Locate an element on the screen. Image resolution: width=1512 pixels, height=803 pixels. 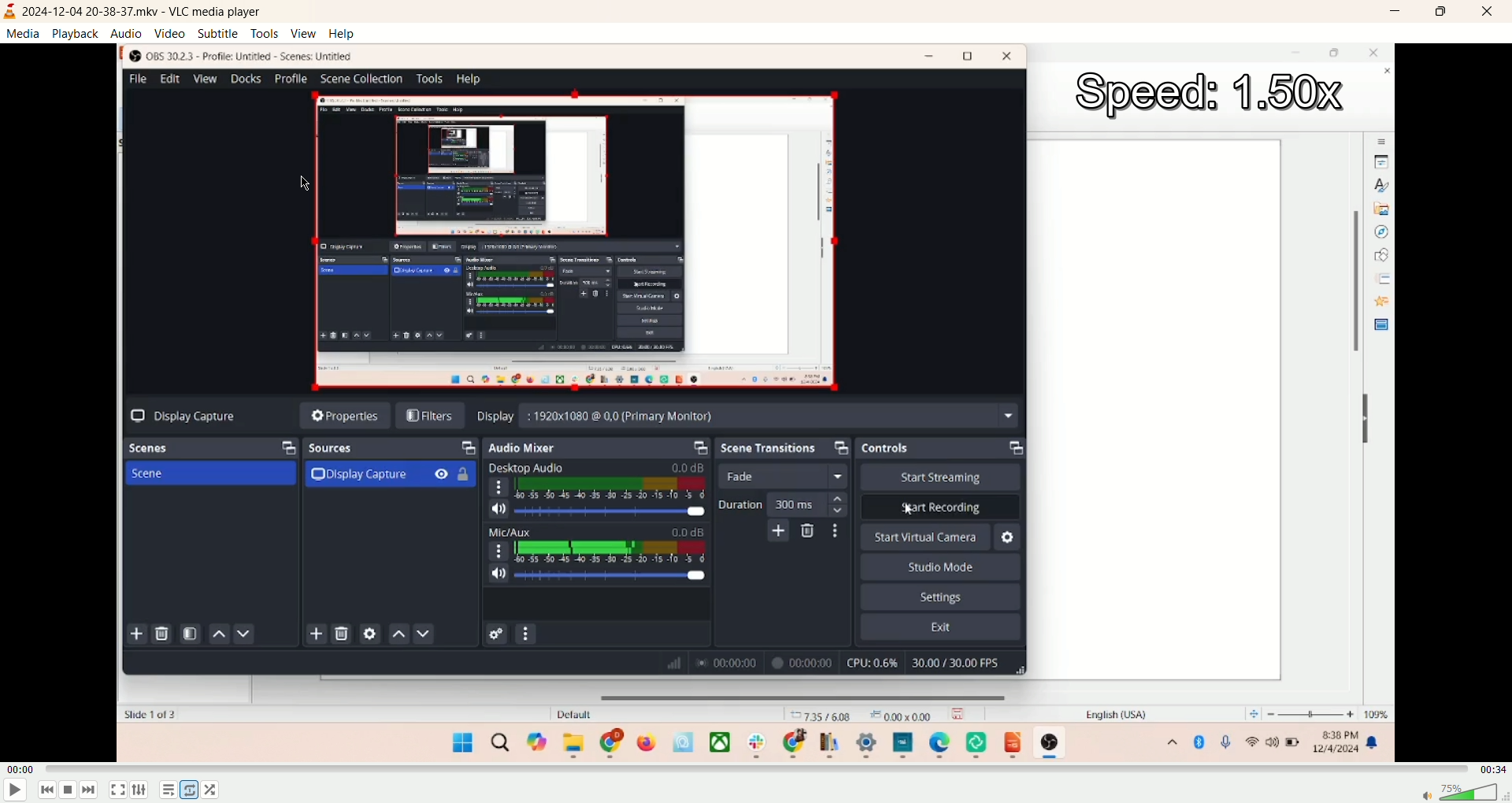
maximize is located at coordinates (1440, 12).